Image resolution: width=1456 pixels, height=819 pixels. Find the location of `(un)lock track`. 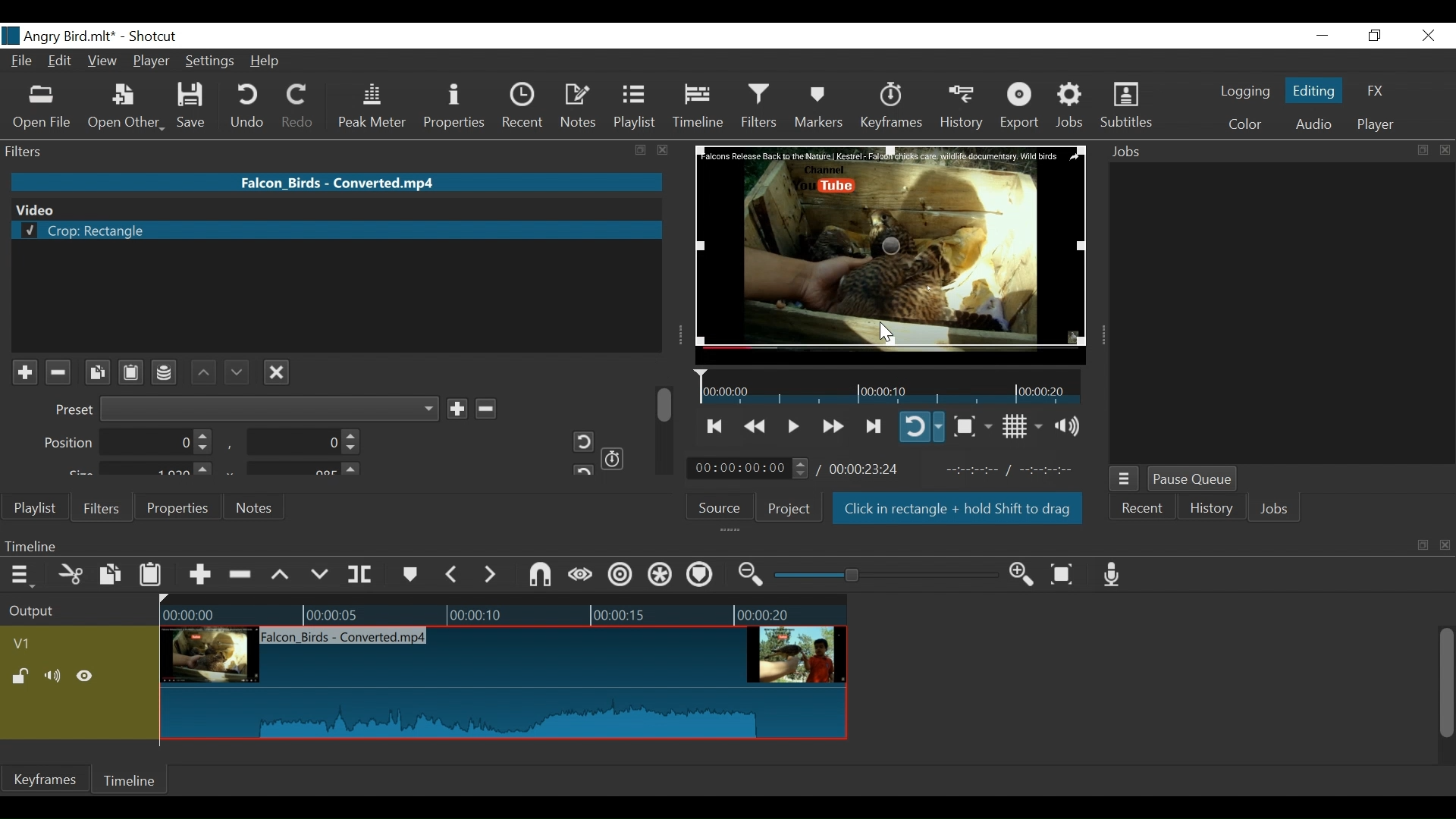

(un)lock track is located at coordinates (24, 677).